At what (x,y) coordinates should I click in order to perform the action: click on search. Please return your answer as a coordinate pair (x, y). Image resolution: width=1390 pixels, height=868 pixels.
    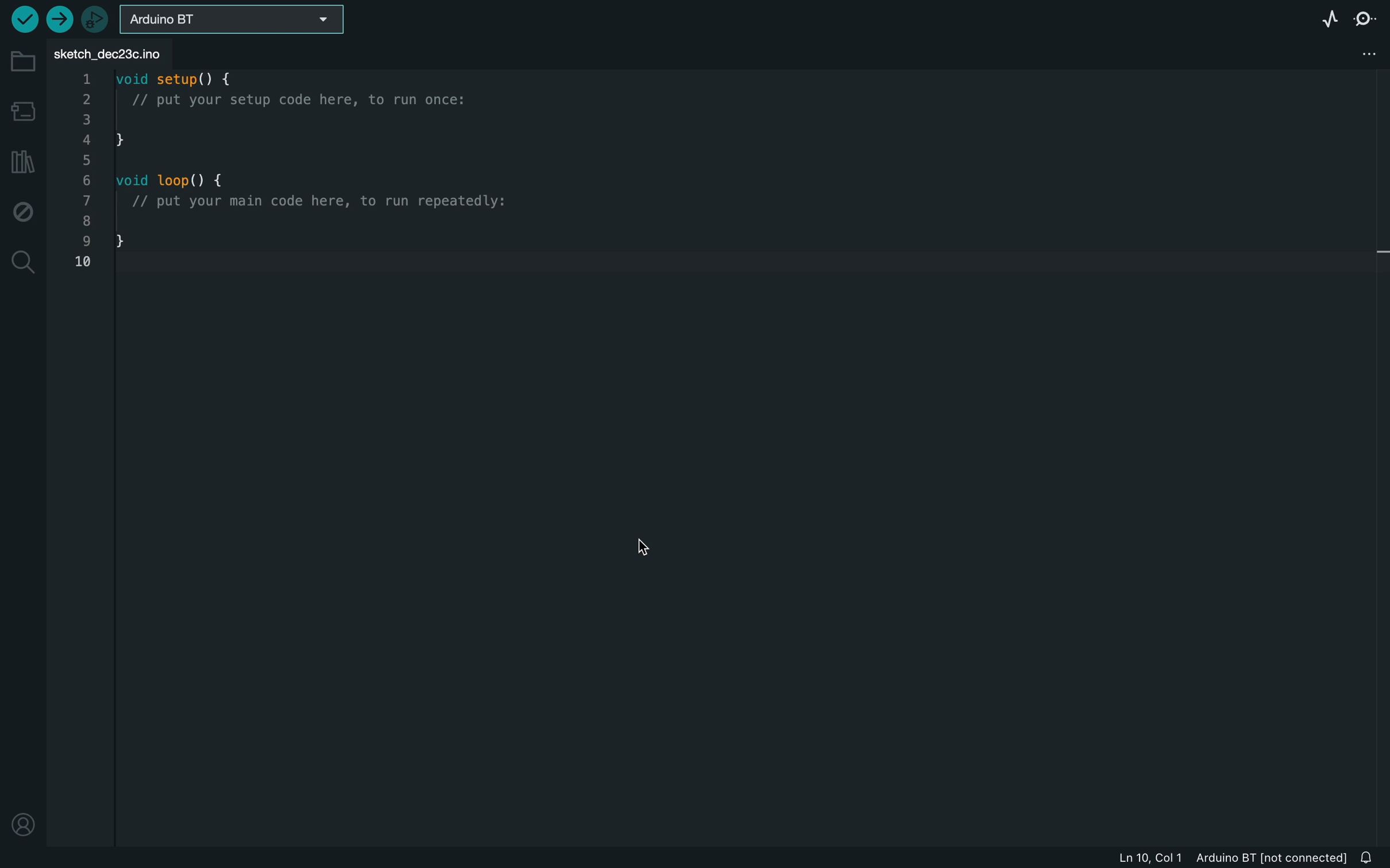
    Looking at the image, I should click on (22, 263).